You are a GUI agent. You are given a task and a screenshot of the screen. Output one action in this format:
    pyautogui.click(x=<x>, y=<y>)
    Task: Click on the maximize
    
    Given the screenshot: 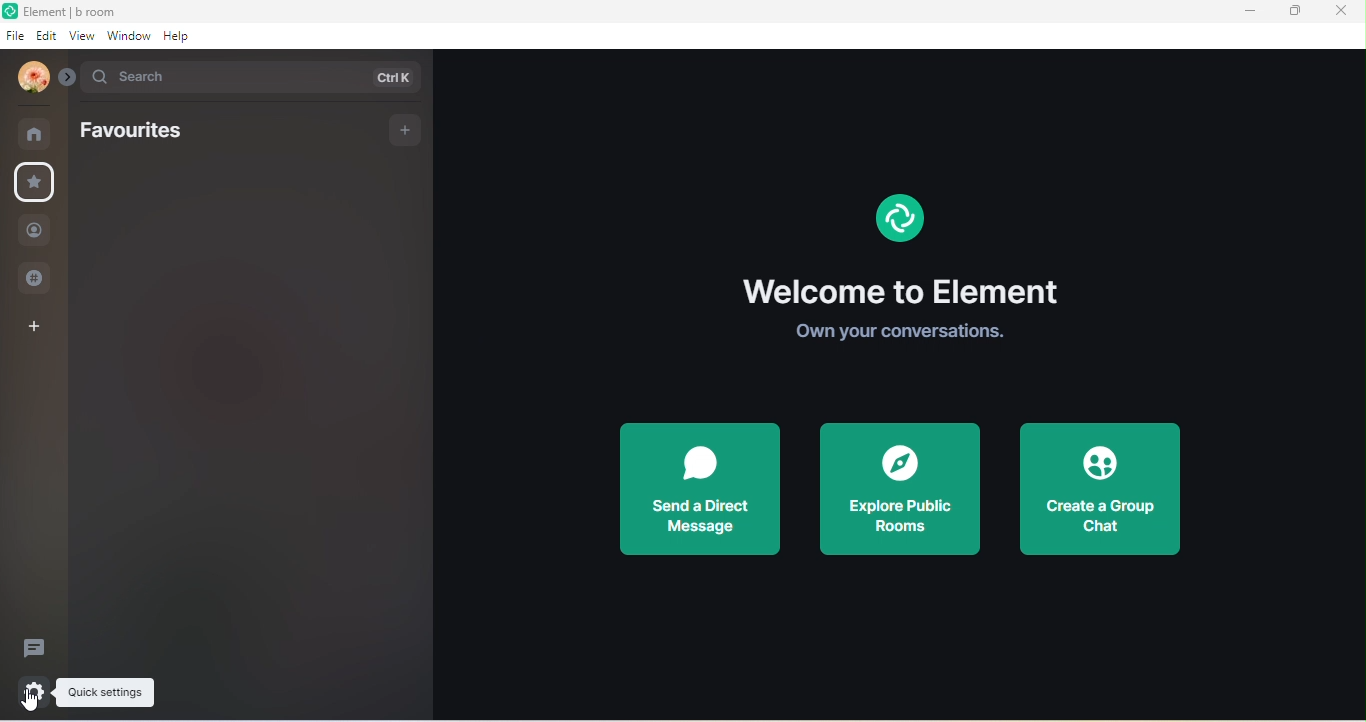 What is the action you would take?
    pyautogui.click(x=1292, y=12)
    